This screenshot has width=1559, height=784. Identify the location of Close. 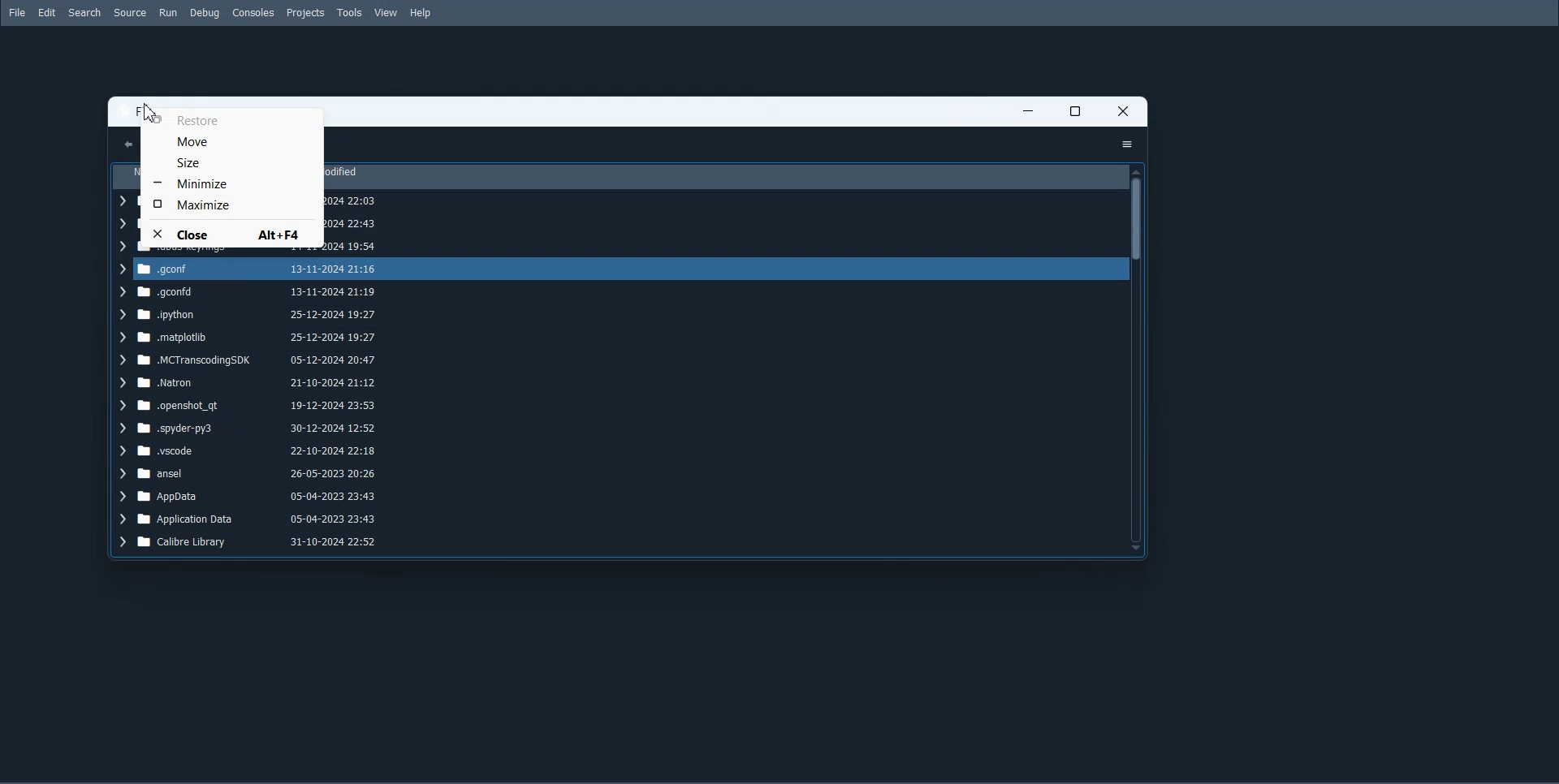
(232, 235).